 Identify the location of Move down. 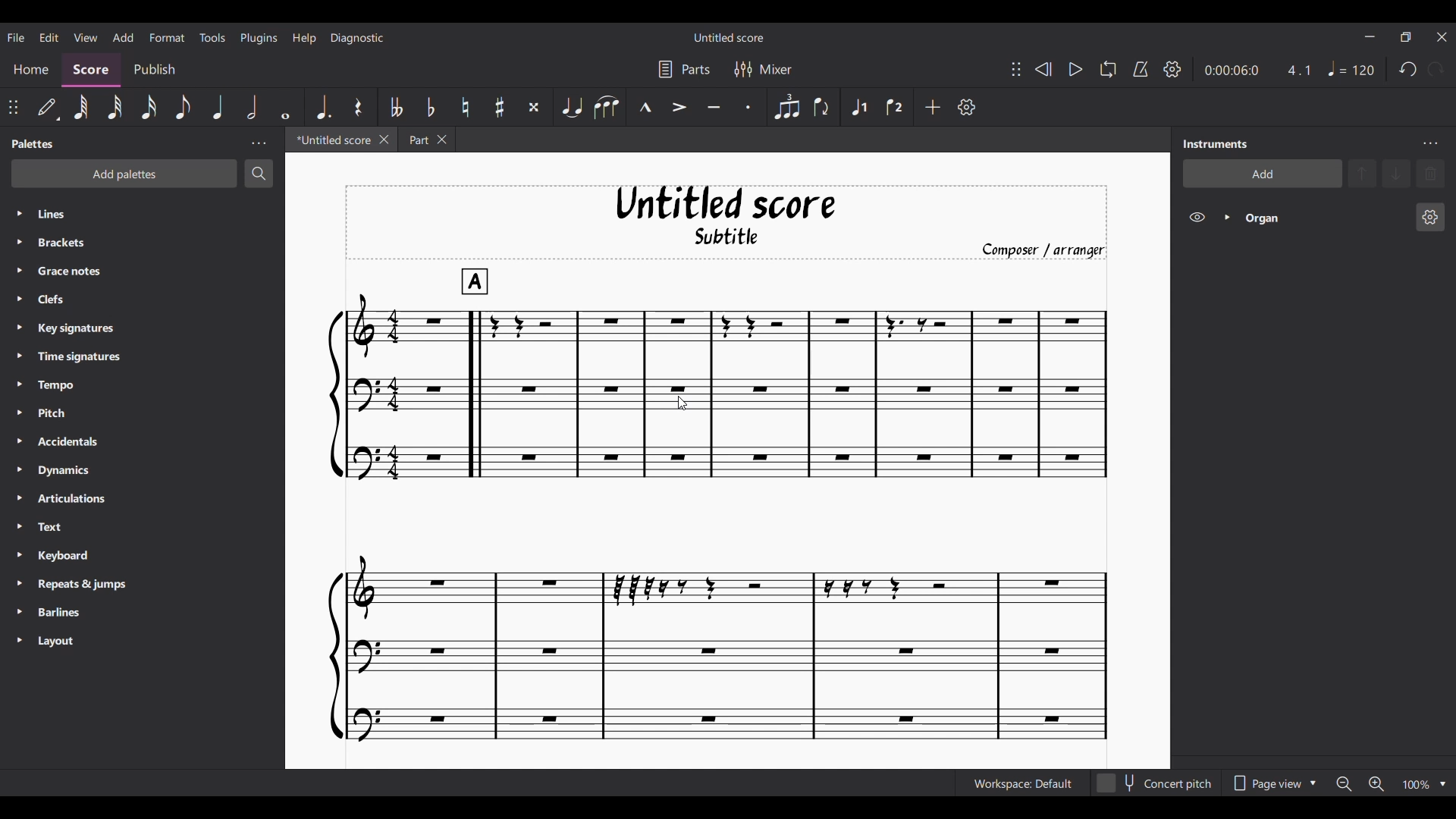
(1396, 173).